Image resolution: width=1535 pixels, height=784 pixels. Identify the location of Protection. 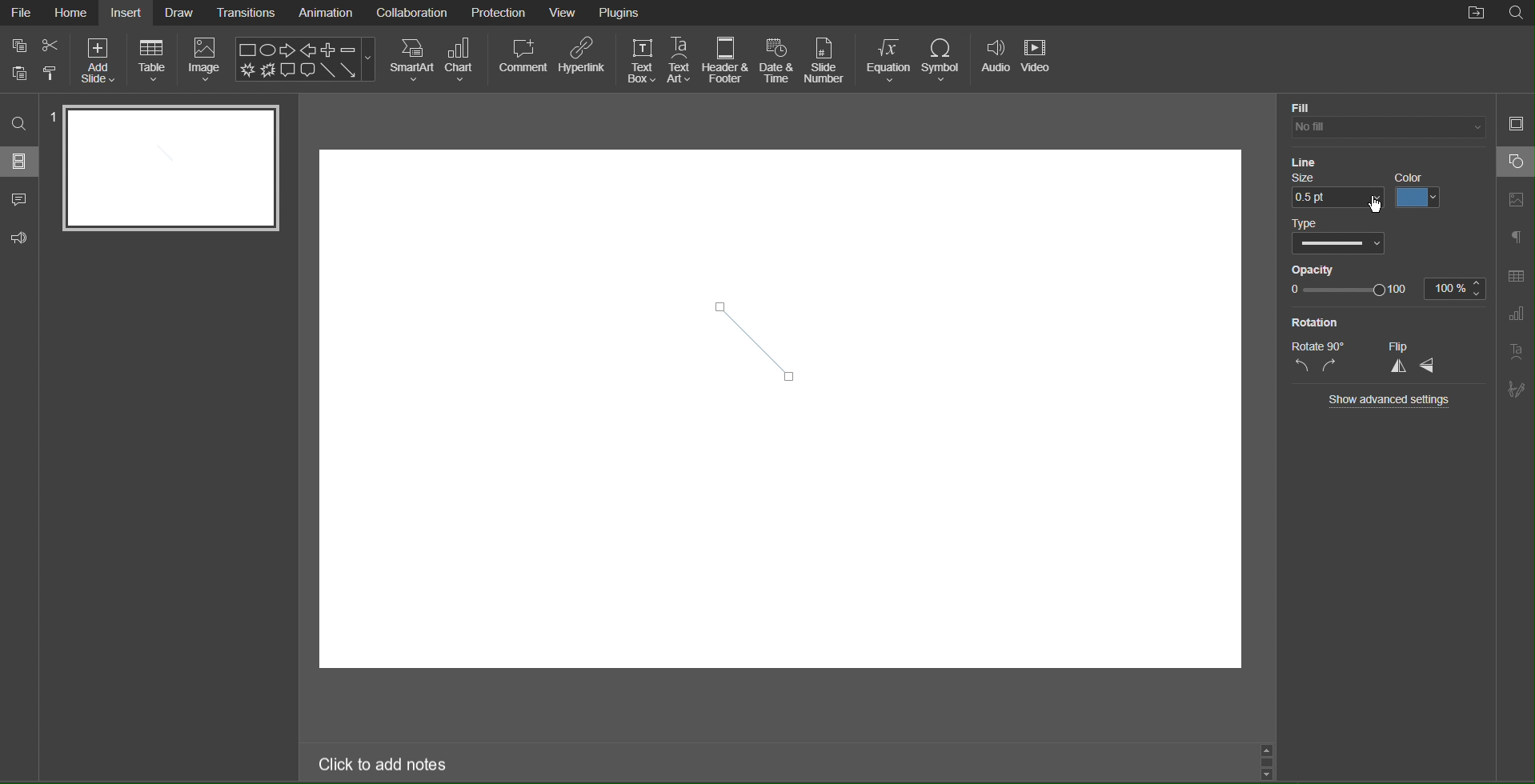
(499, 12).